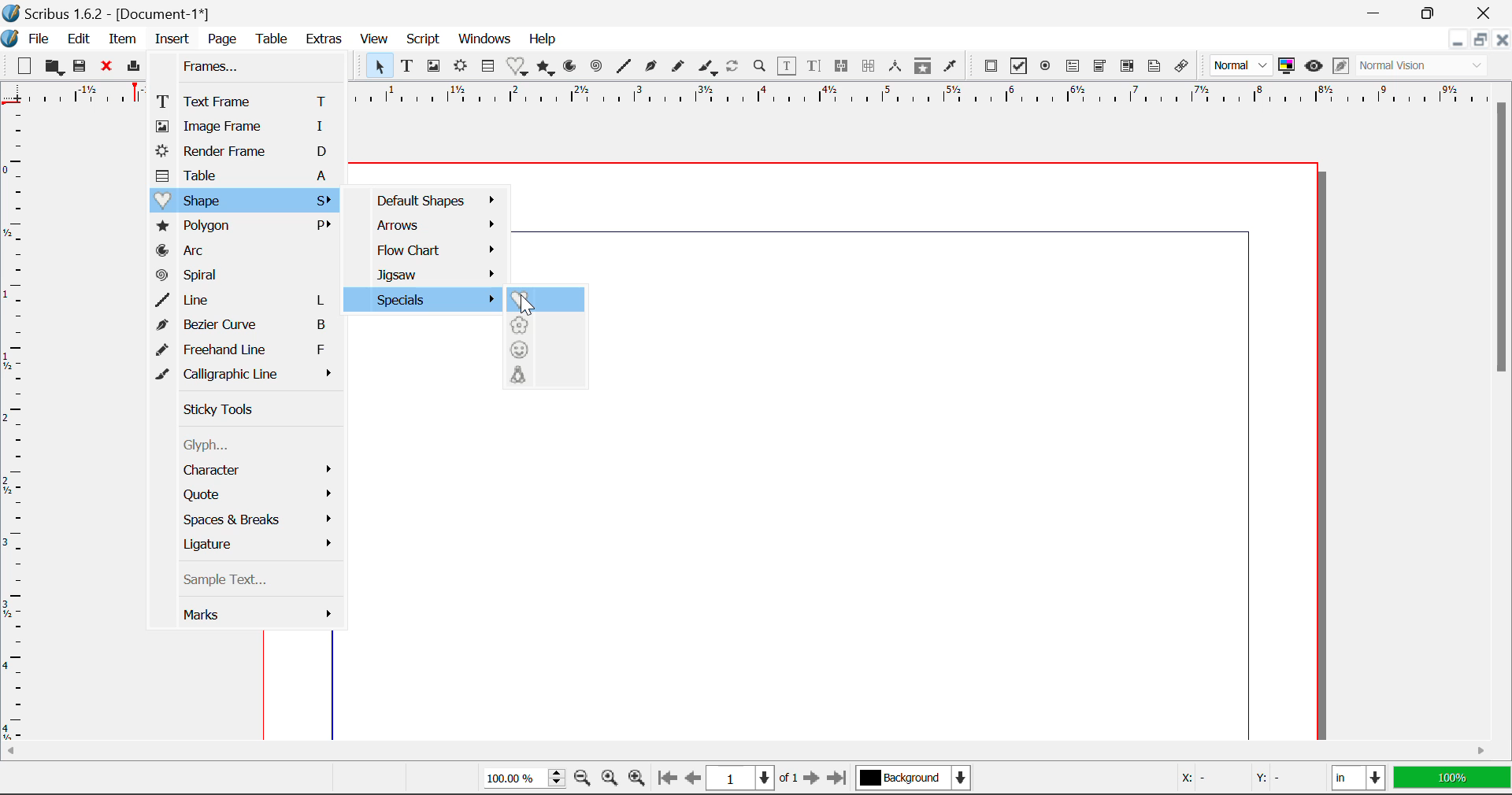 This screenshot has width=1512, height=795. Describe the element at coordinates (249, 251) in the screenshot. I see `Arc` at that location.